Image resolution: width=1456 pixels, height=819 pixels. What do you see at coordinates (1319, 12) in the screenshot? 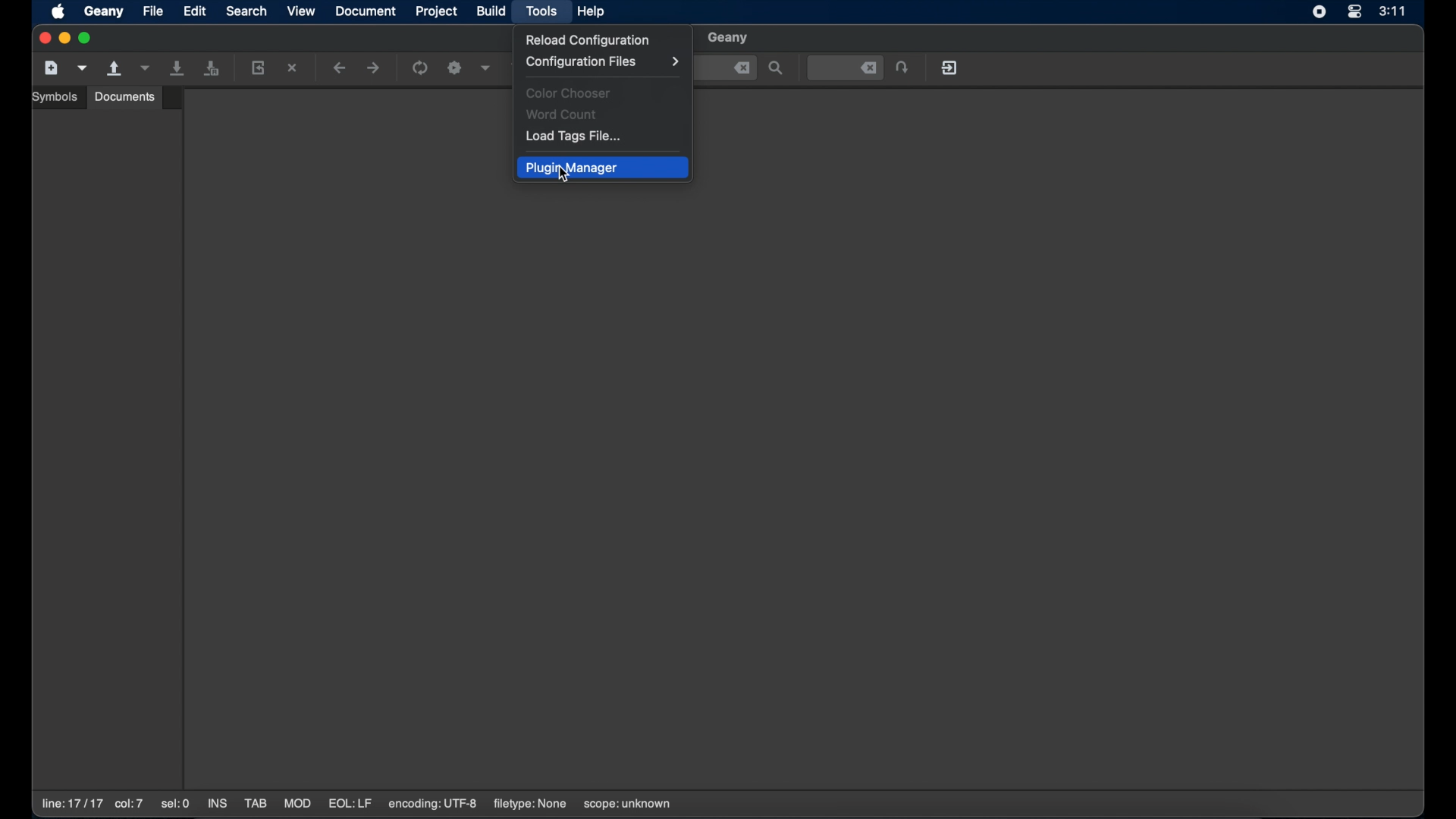
I see `screen recorder icon` at bounding box center [1319, 12].